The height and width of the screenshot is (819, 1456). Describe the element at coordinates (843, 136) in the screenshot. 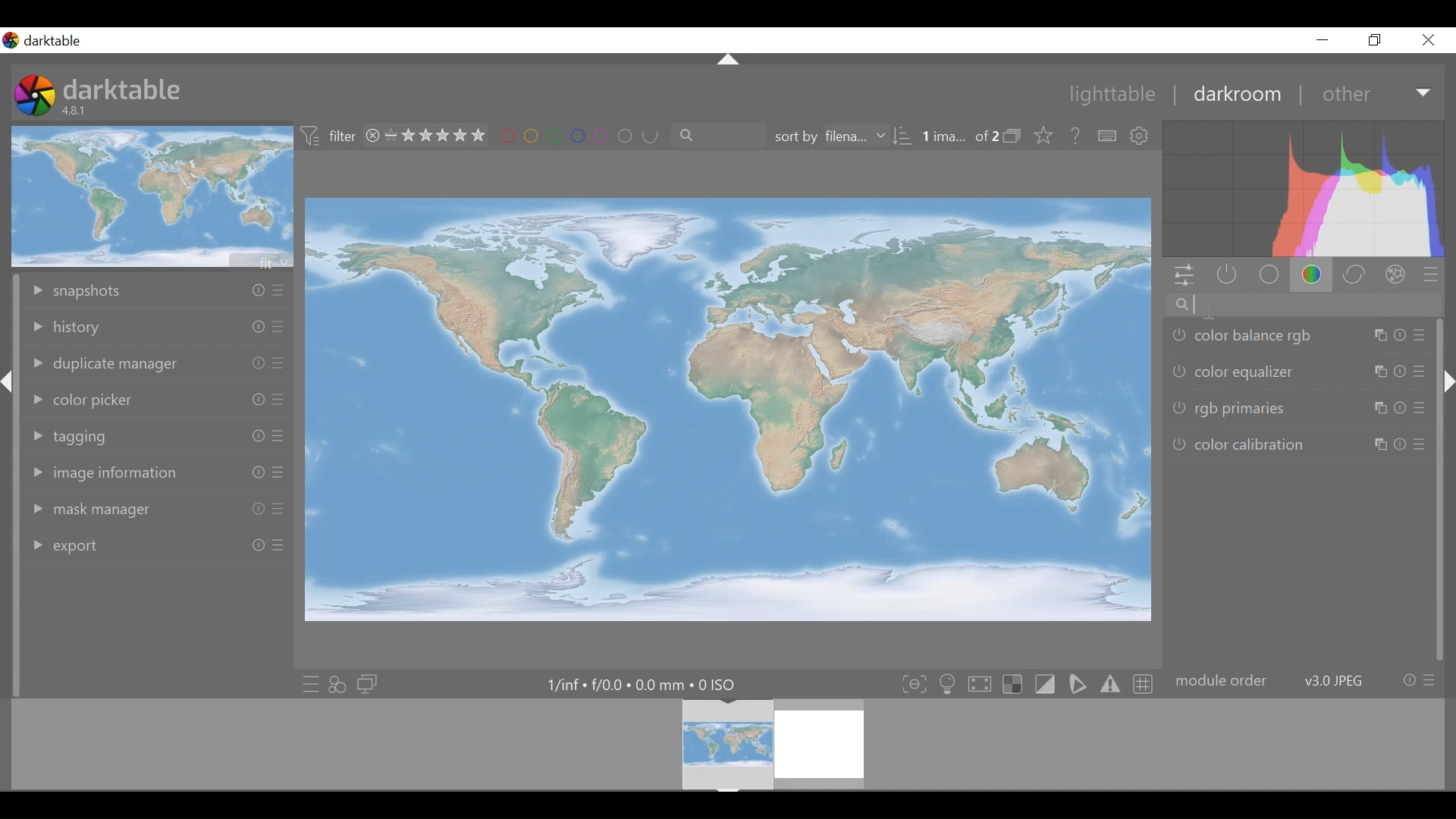

I see `sort by` at that location.